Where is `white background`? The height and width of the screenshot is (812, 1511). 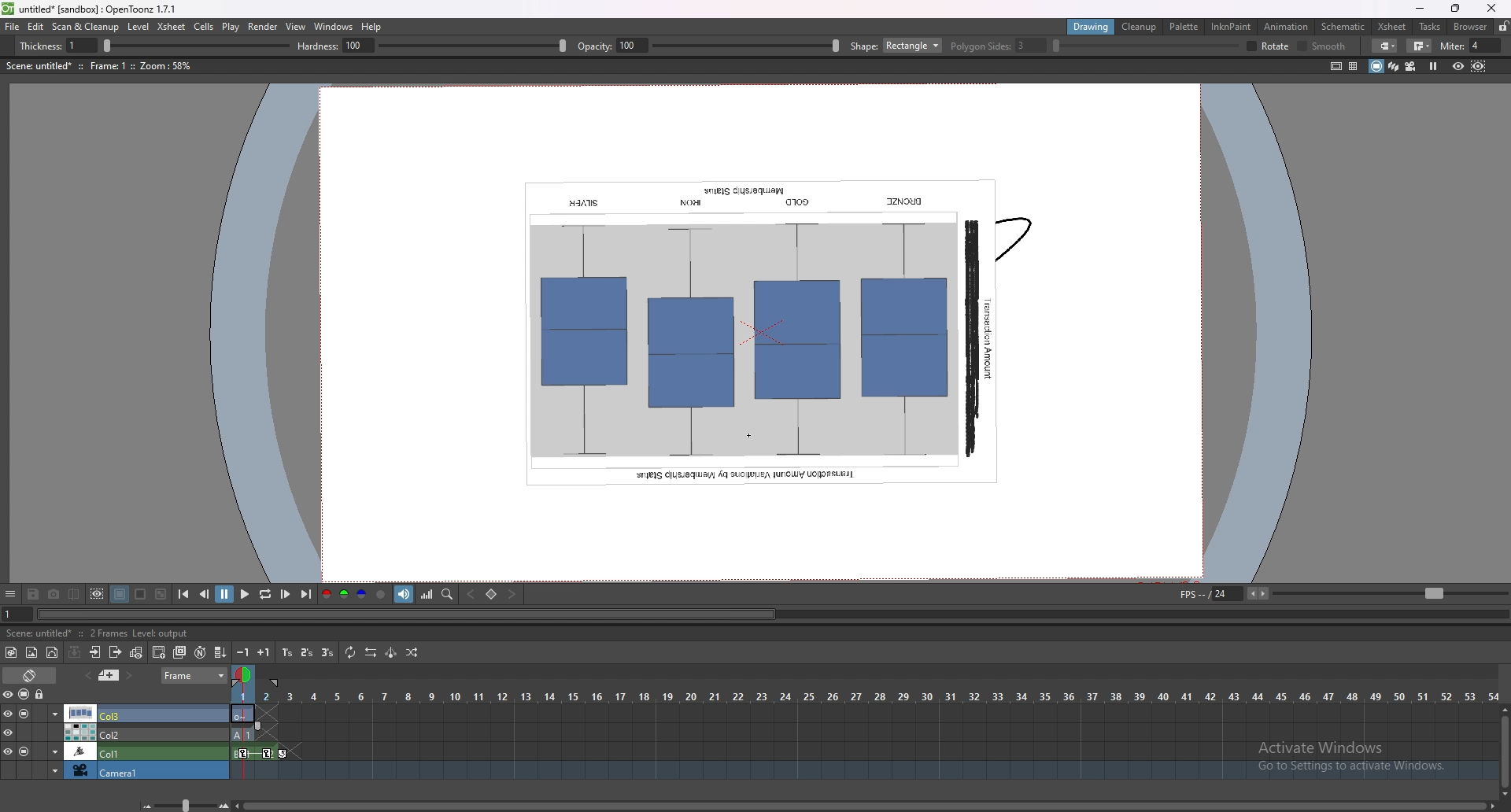 white background is located at coordinates (139, 594).